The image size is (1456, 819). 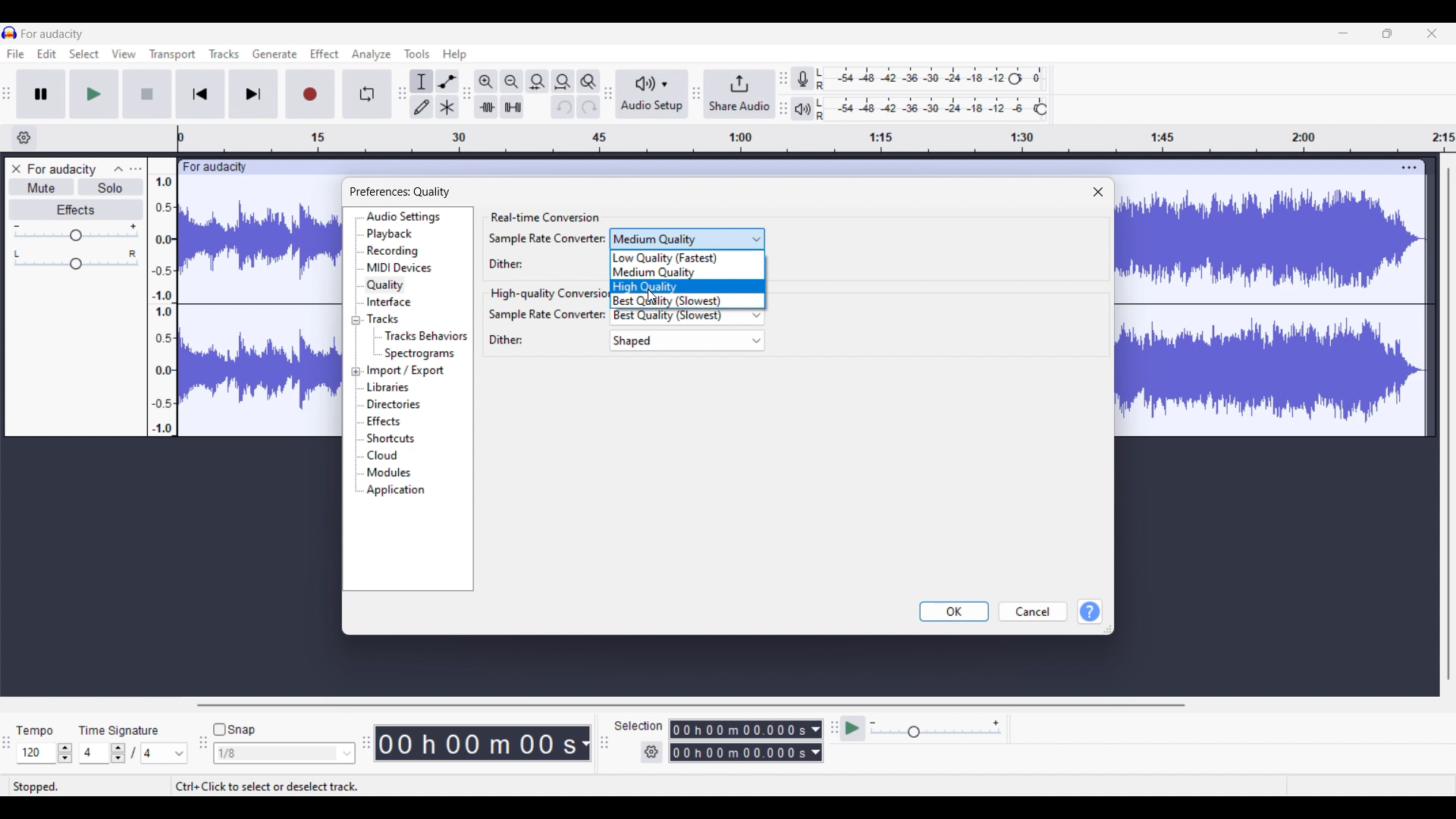 What do you see at coordinates (162, 297) in the screenshot?
I see `Scale to measure intensity of waves in track` at bounding box center [162, 297].